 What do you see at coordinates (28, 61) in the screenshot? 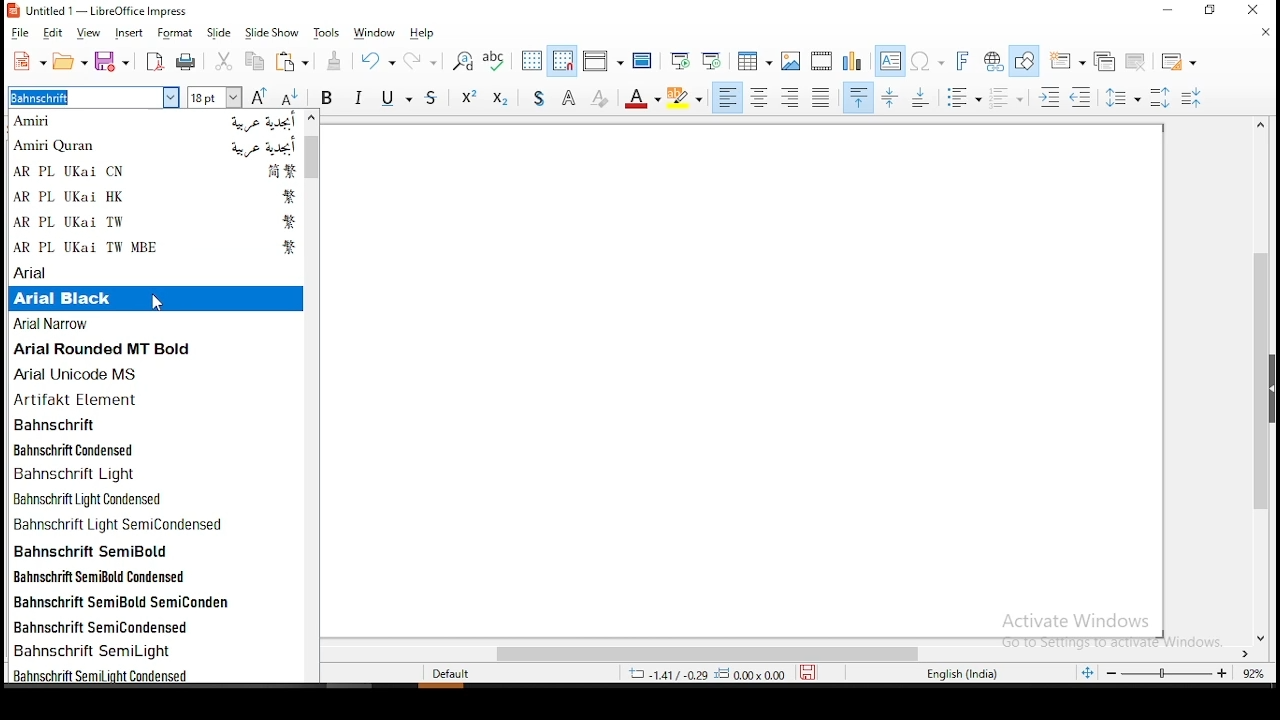
I see `new` at bounding box center [28, 61].